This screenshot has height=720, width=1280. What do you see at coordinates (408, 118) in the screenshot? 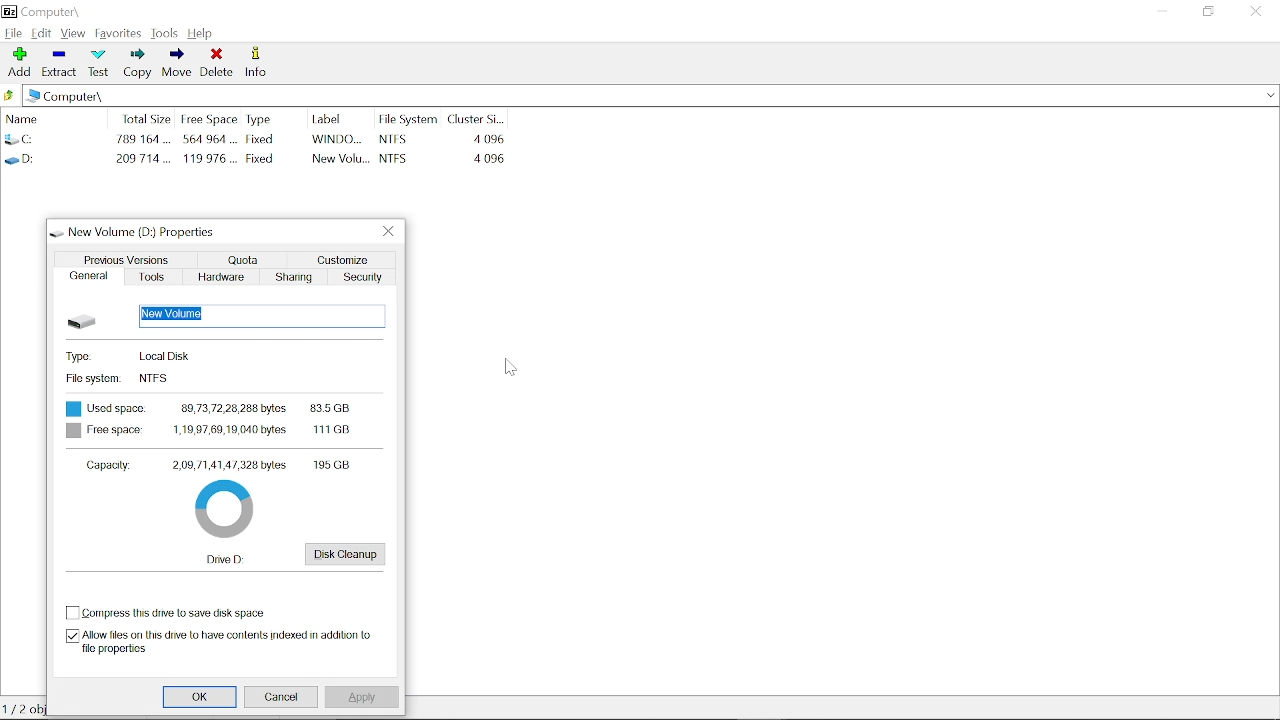
I see `file system` at bounding box center [408, 118].